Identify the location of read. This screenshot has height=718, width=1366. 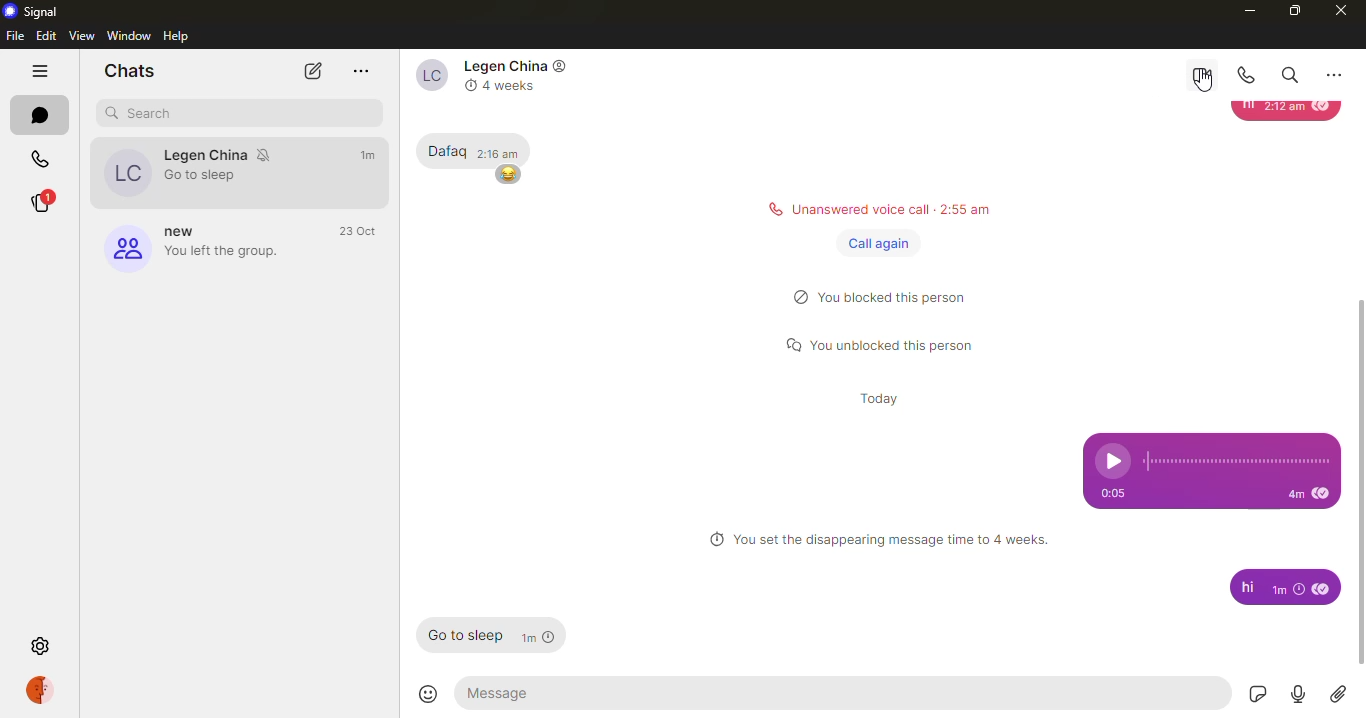
(1325, 495).